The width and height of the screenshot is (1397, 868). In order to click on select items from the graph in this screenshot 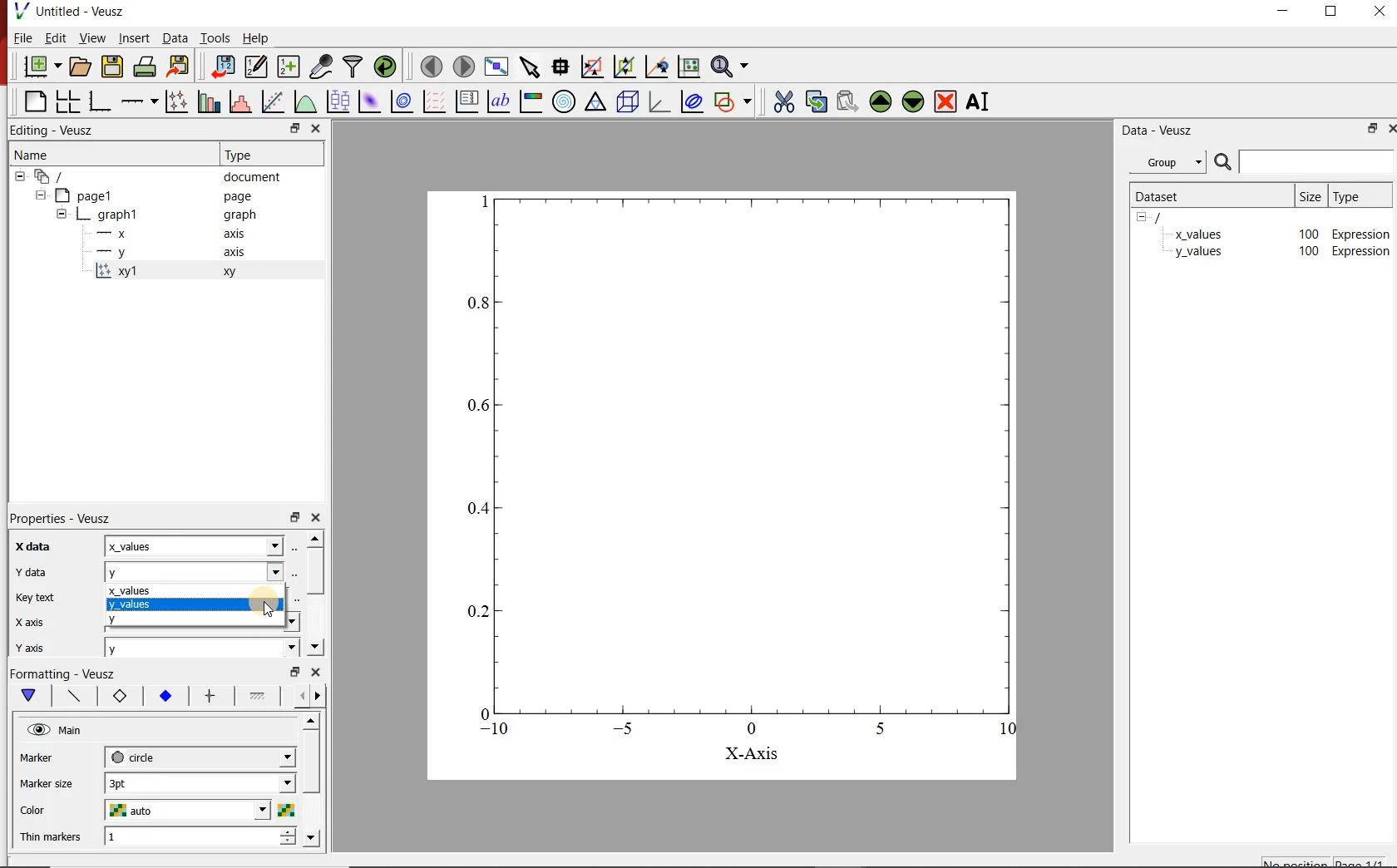, I will do `click(531, 67)`.